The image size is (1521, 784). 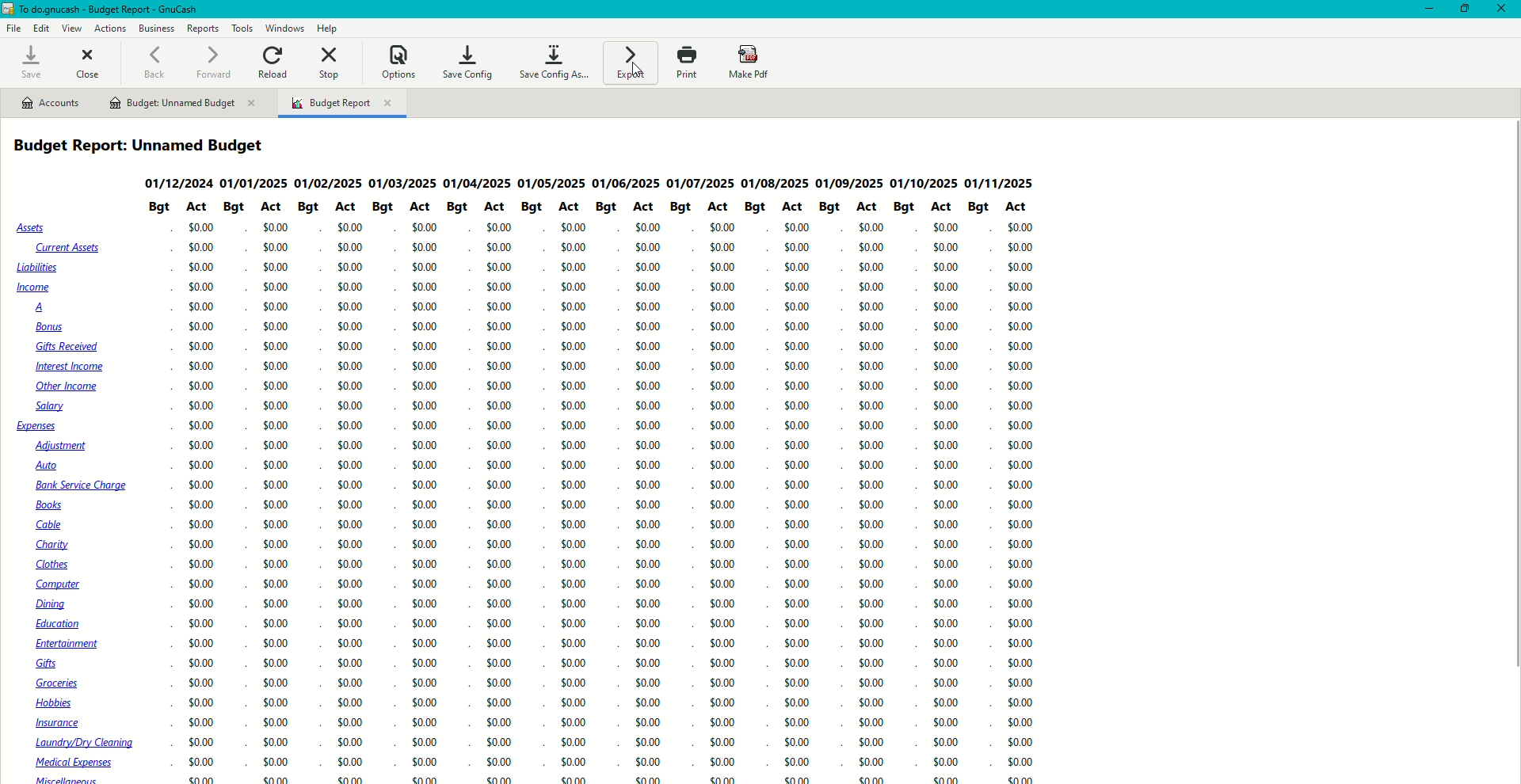 What do you see at coordinates (648, 481) in the screenshot?
I see `<0 00` at bounding box center [648, 481].